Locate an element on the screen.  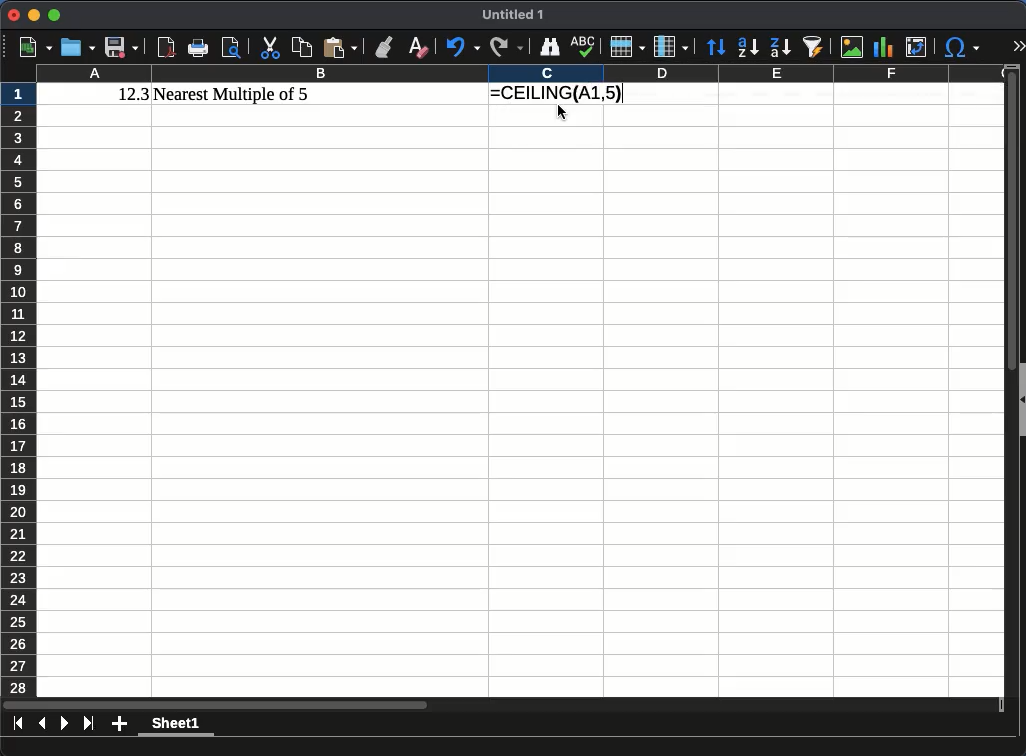
descending is located at coordinates (780, 48).